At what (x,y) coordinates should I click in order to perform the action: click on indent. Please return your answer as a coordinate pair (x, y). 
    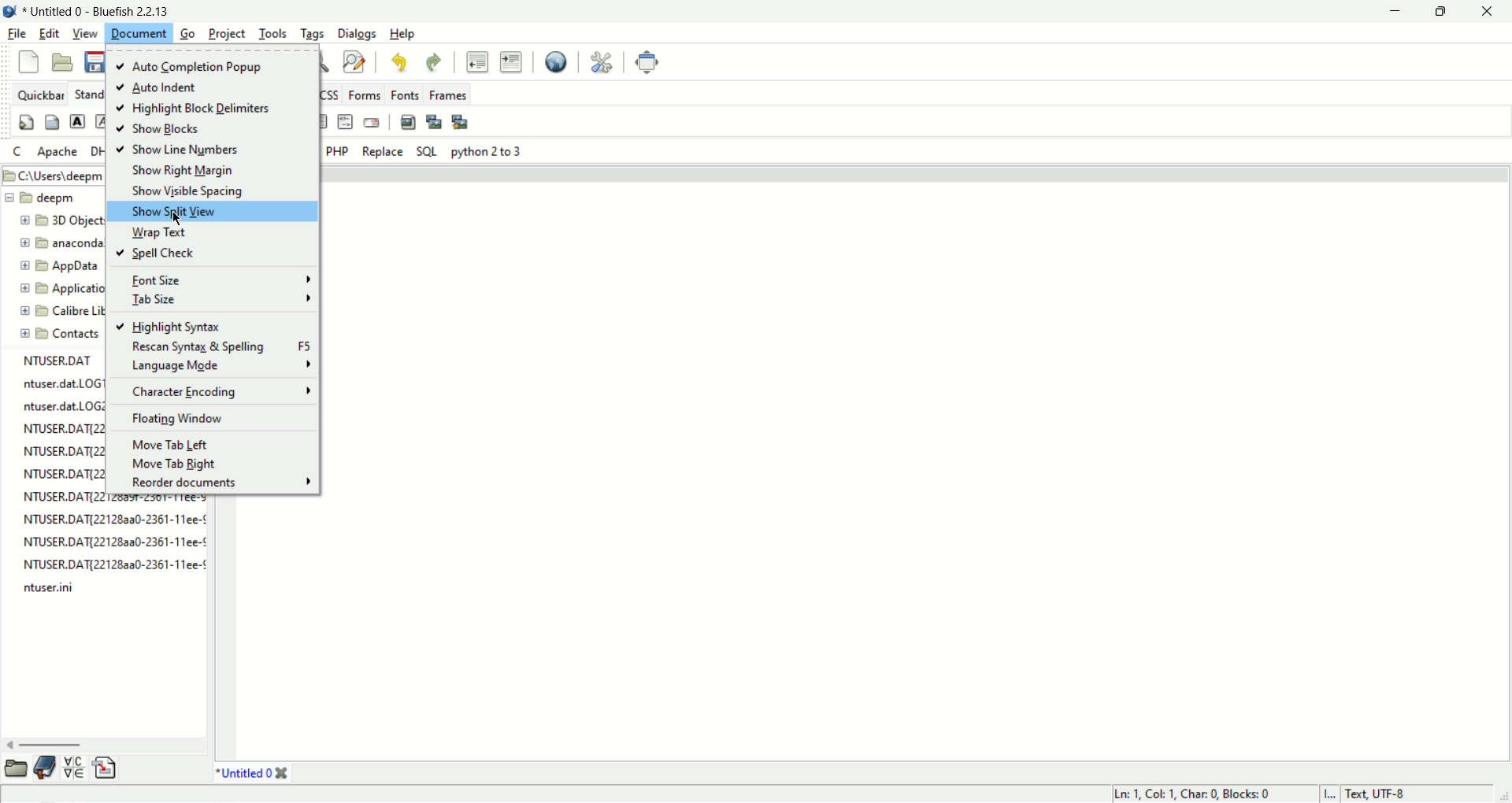
    Looking at the image, I should click on (515, 64).